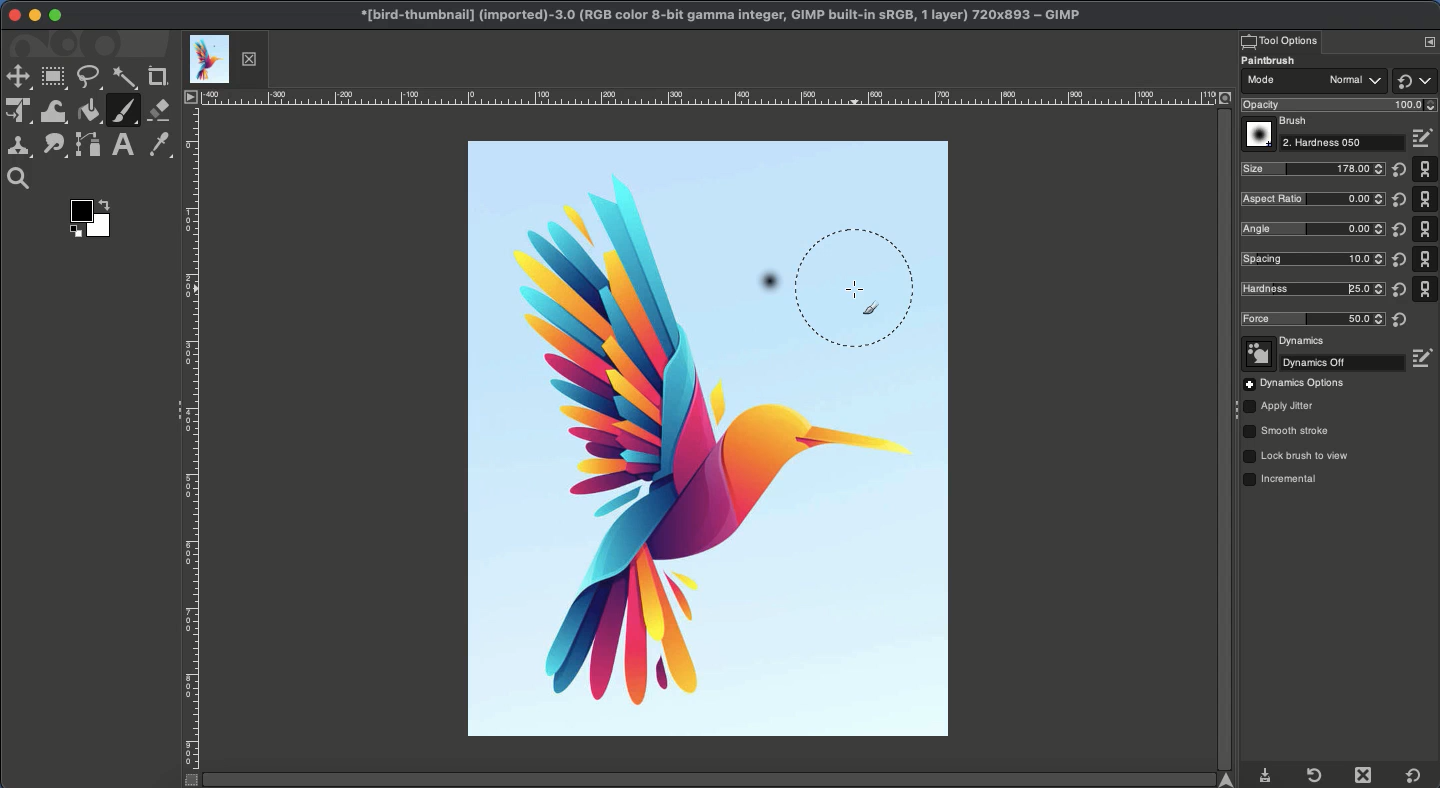  What do you see at coordinates (160, 110) in the screenshot?
I see `Eraser` at bounding box center [160, 110].